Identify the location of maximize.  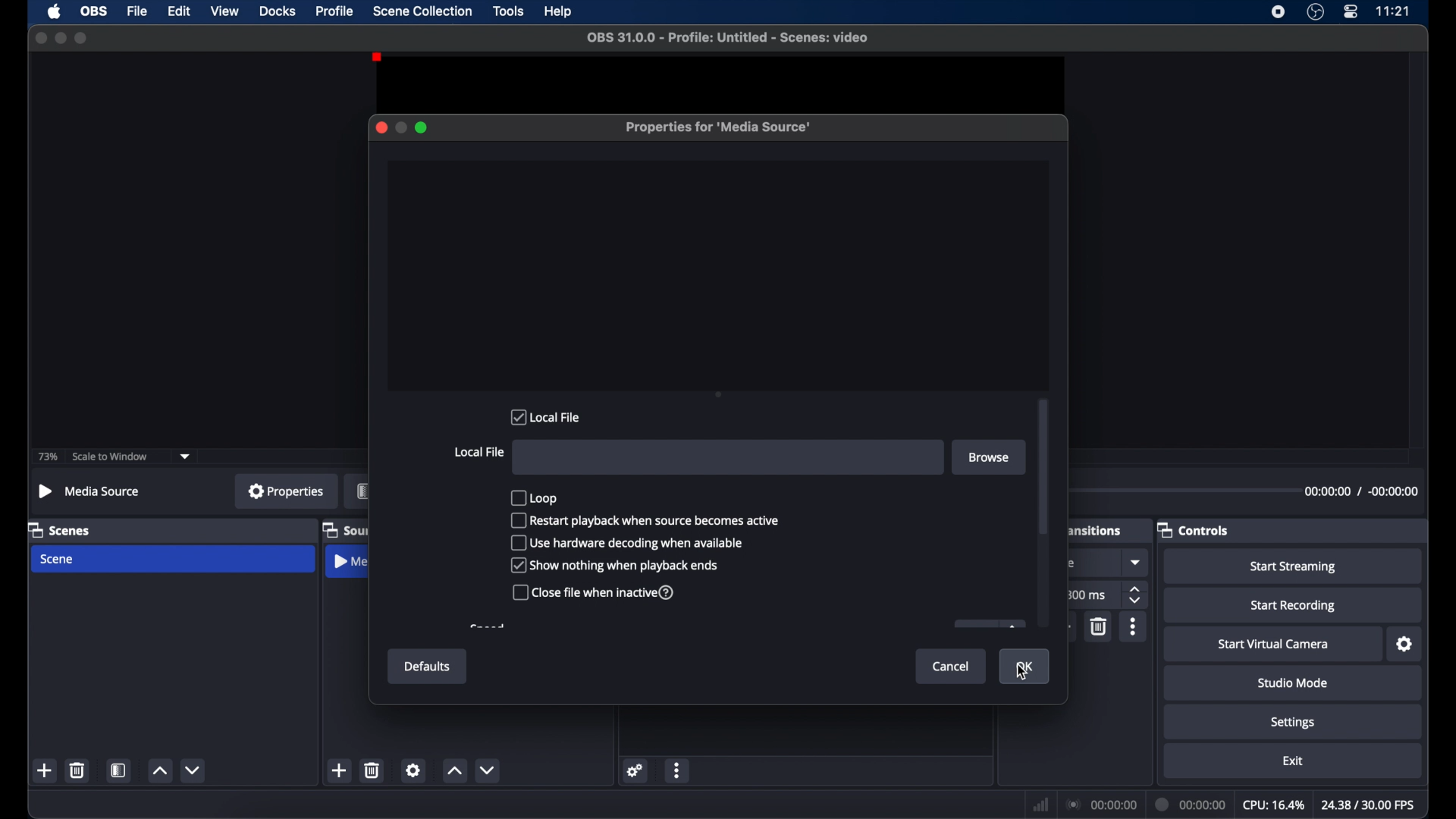
(422, 127).